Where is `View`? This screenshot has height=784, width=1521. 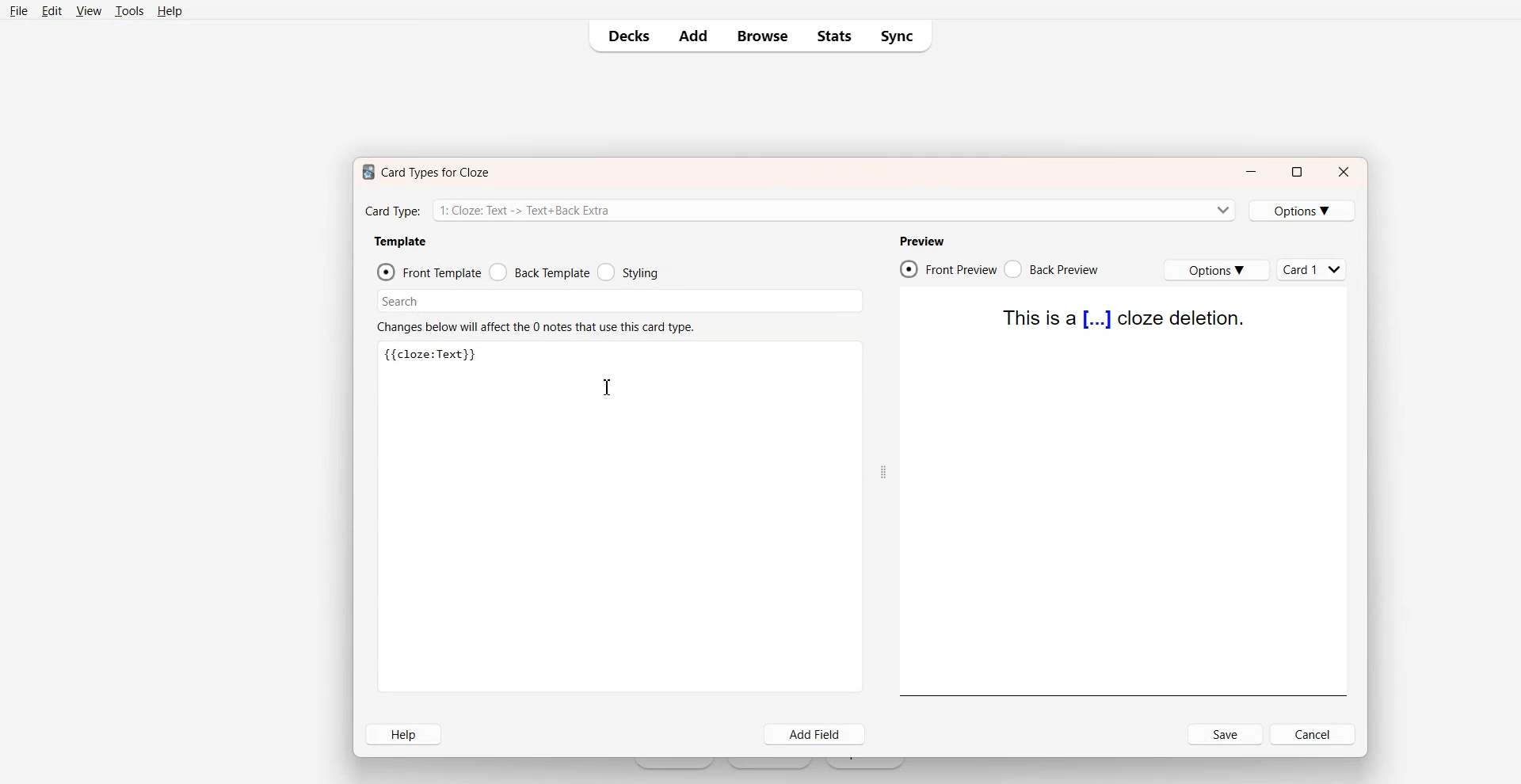
View is located at coordinates (88, 10).